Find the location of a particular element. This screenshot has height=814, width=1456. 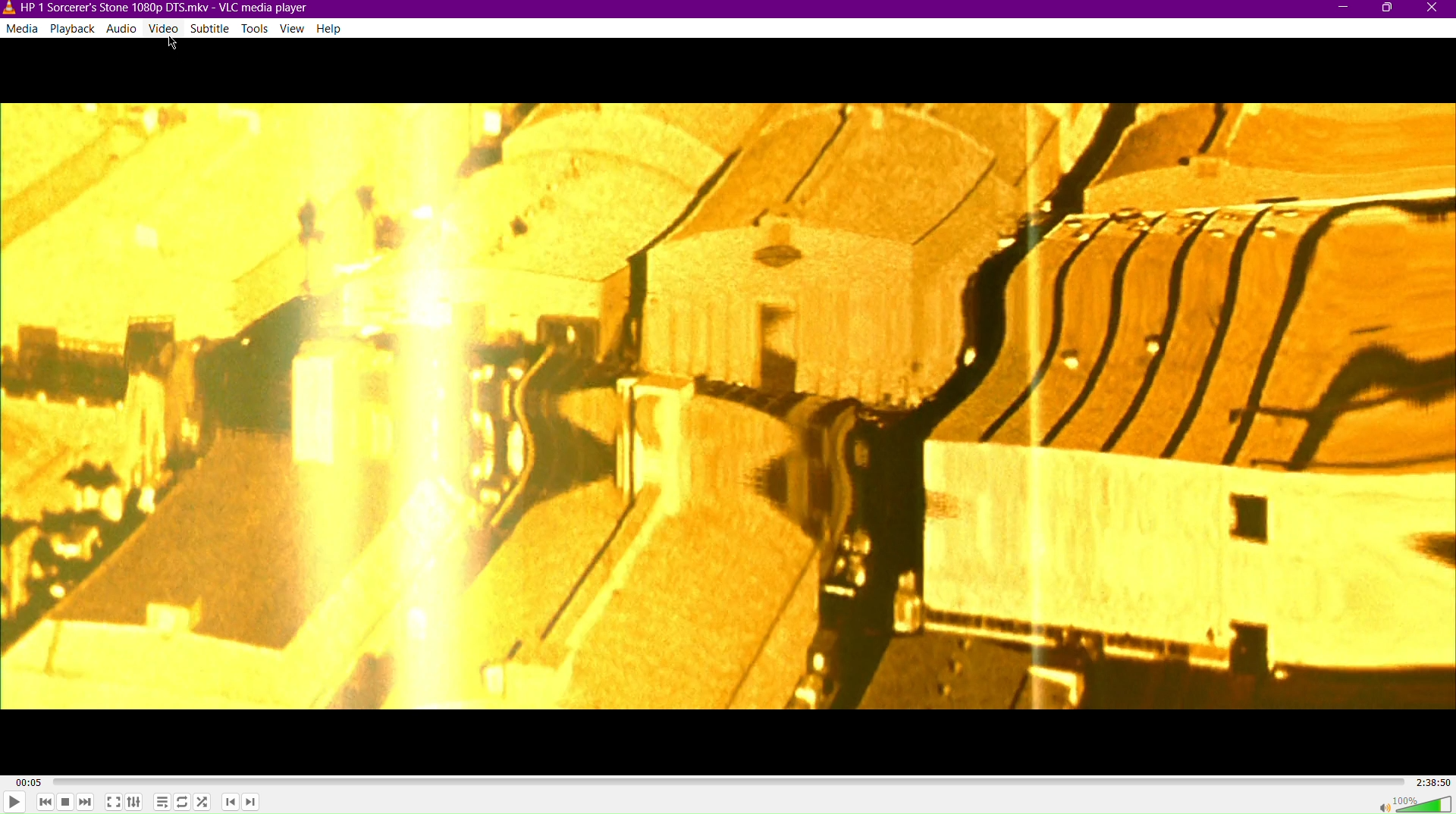

Help is located at coordinates (329, 27).